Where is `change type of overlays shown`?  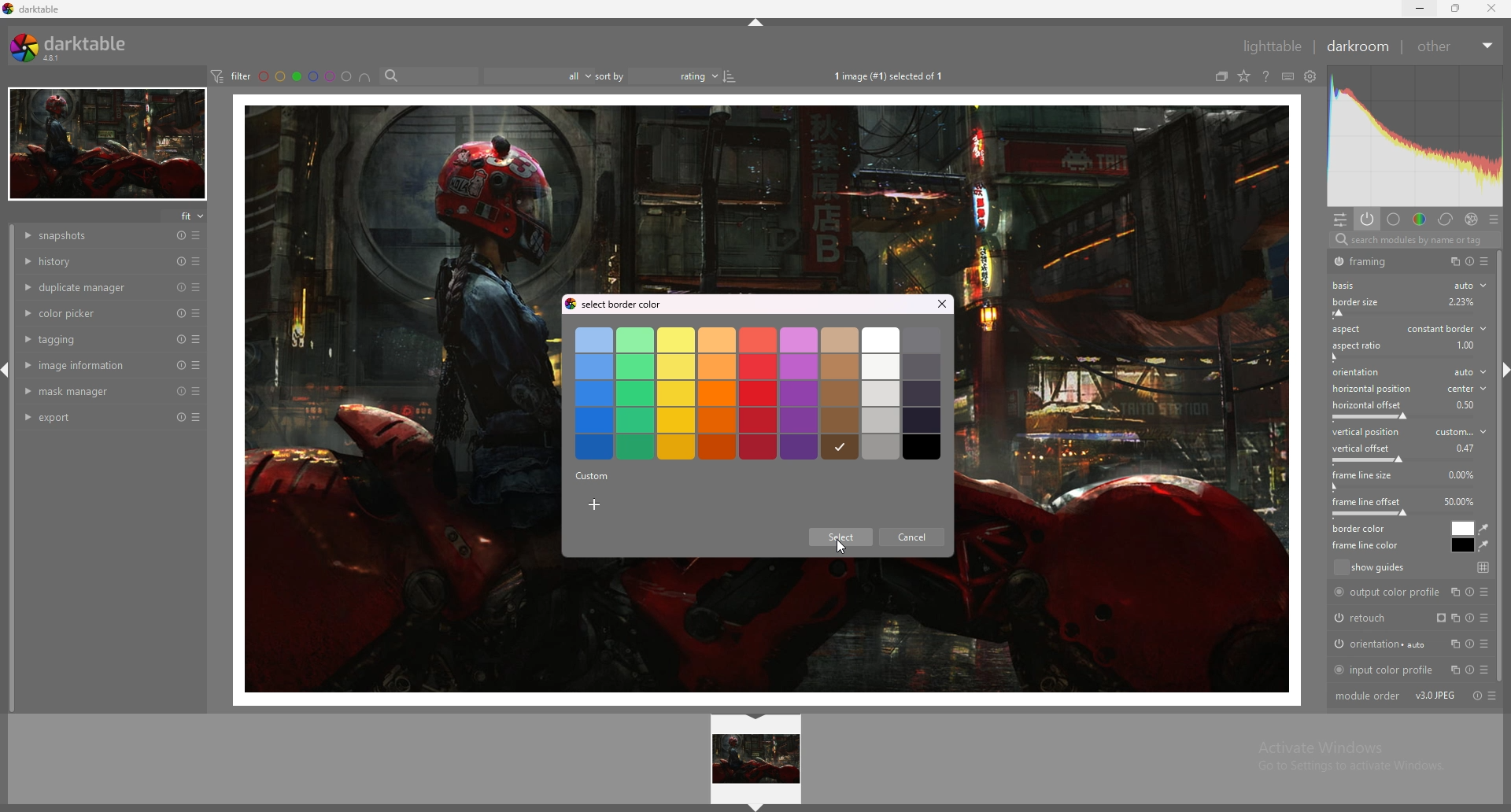
change type of overlays shown is located at coordinates (1243, 76).